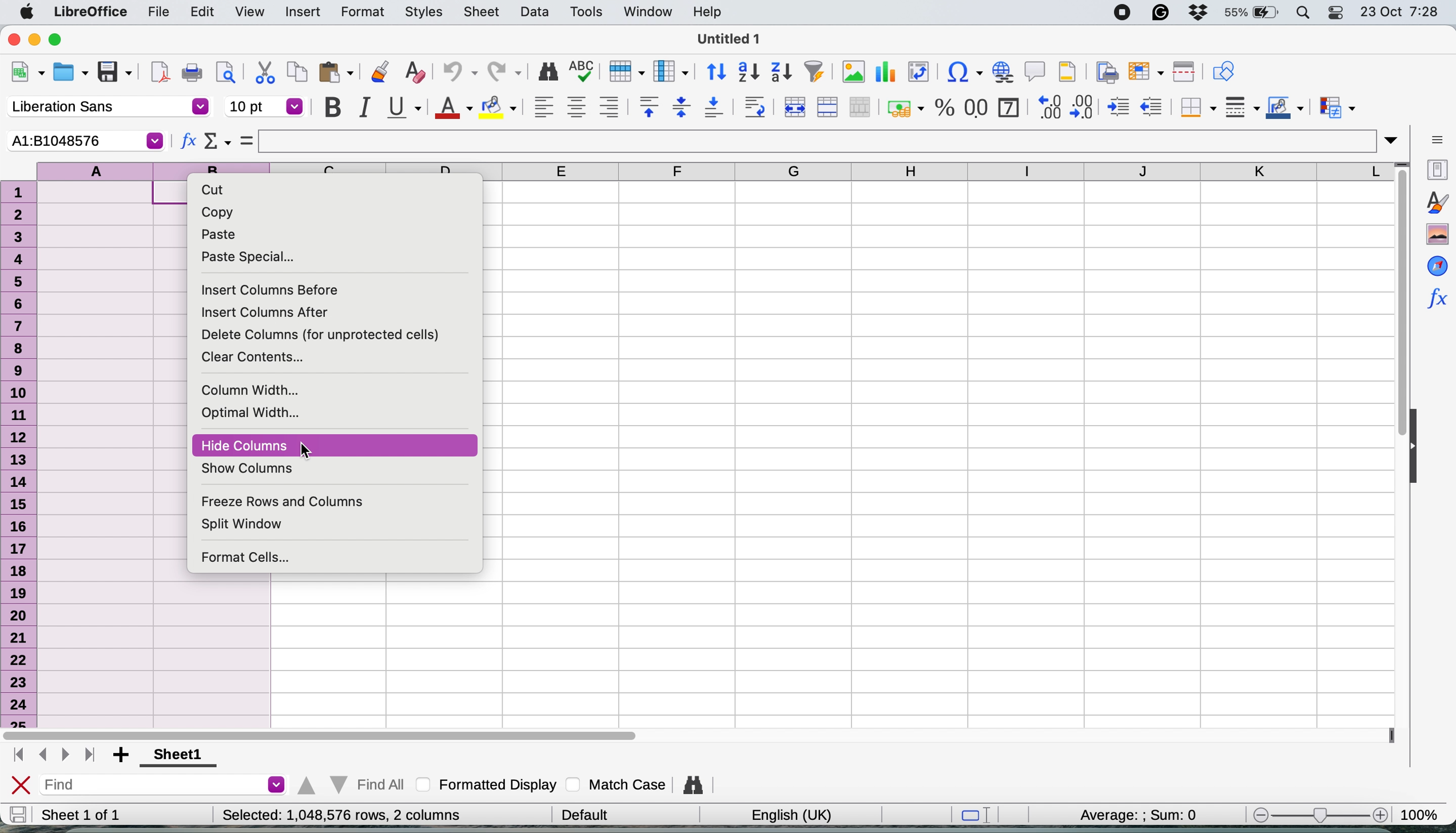 The height and width of the screenshot is (833, 1456). Describe the element at coordinates (705, 13) in the screenshot. I see `help` at that location.